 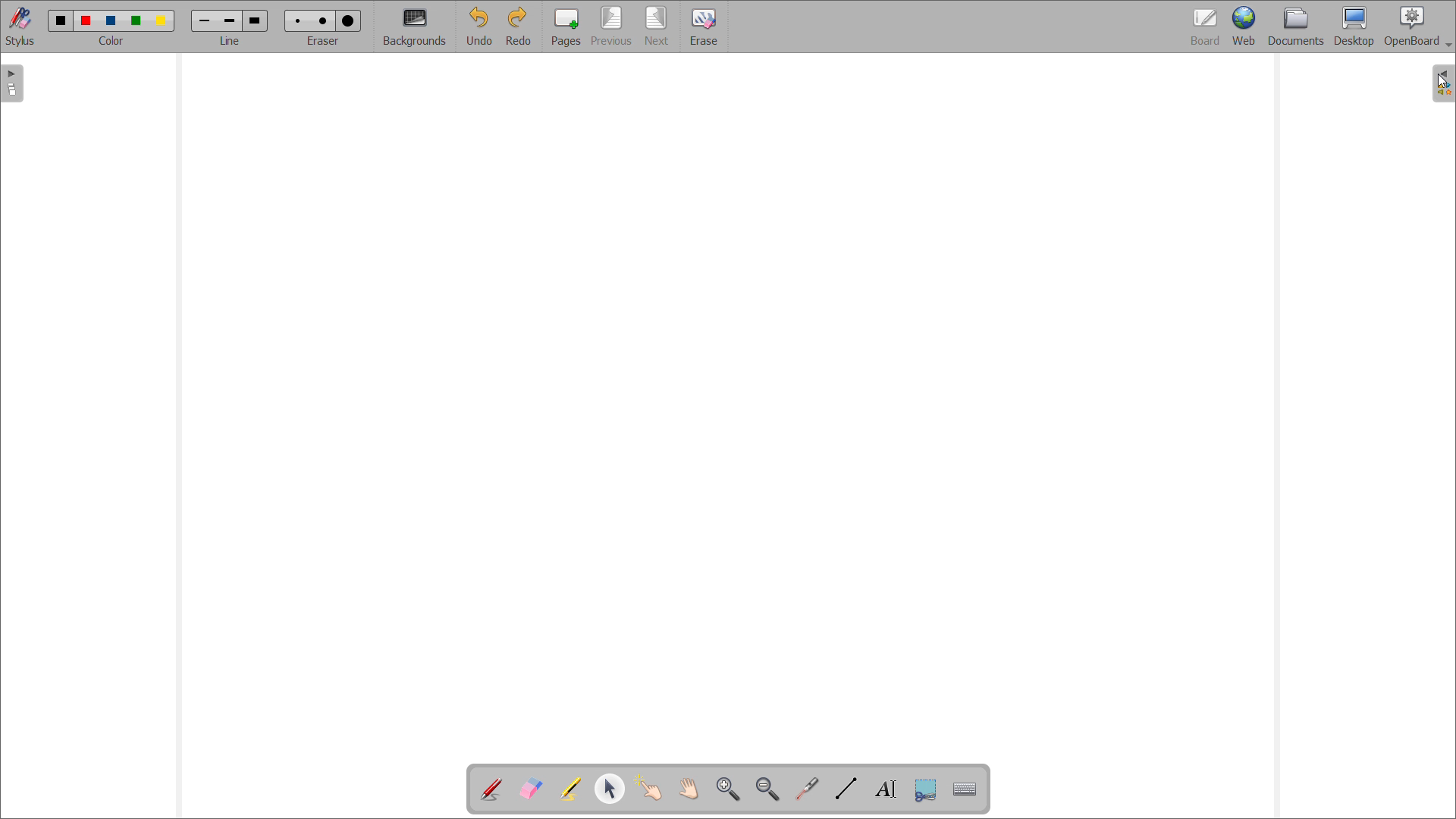 I want to click on erase, so click(x=704, y=27).